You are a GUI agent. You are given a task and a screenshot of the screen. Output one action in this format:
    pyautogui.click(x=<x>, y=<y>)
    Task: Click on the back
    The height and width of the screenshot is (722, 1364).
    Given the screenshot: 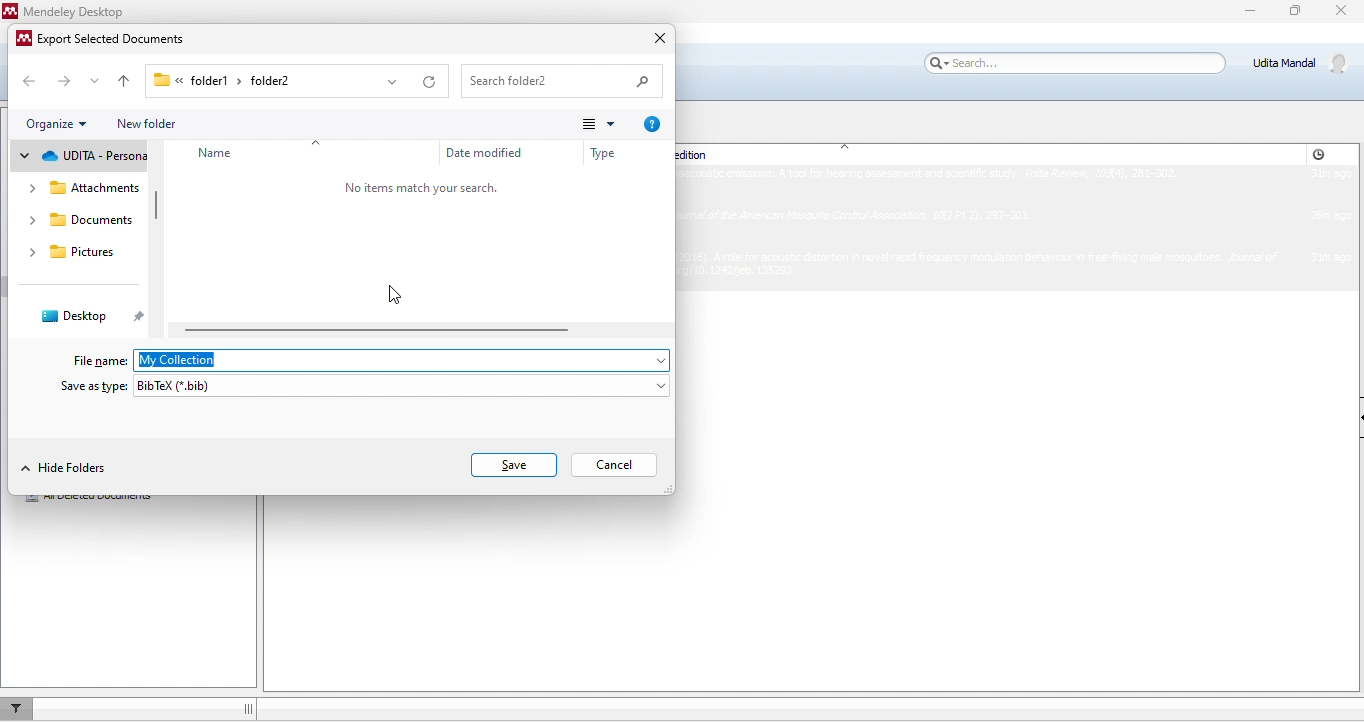 What is the action you would take?
    pyautogui.click(x=32, y=81)
    